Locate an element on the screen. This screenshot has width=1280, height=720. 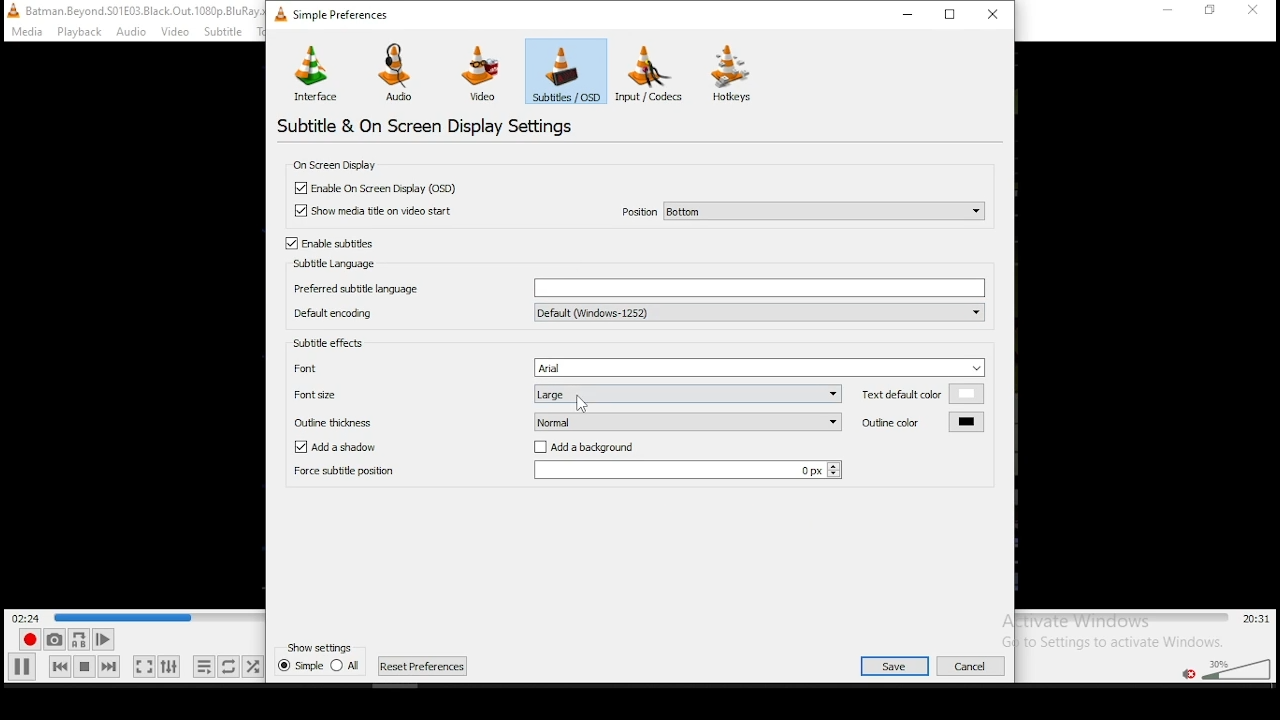
simple is located at coordinates (300, 665).